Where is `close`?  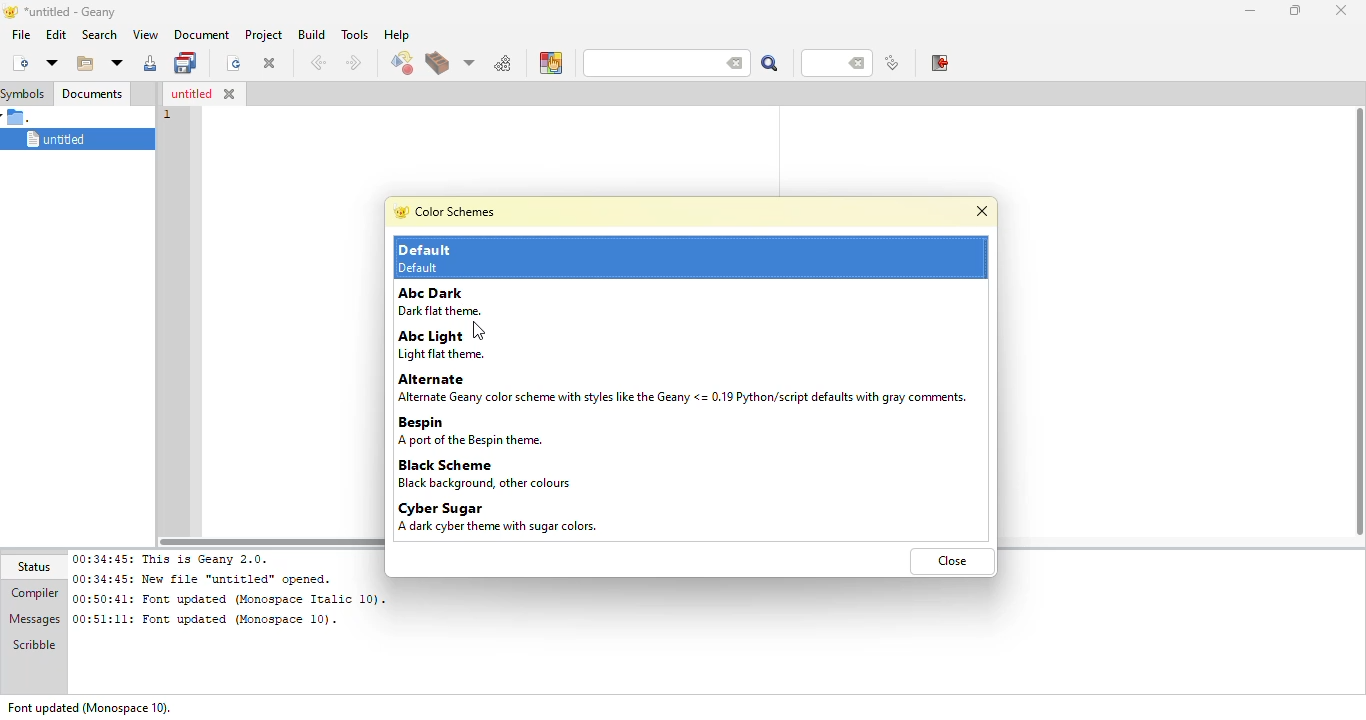 close is located at coordinates (977, 214).